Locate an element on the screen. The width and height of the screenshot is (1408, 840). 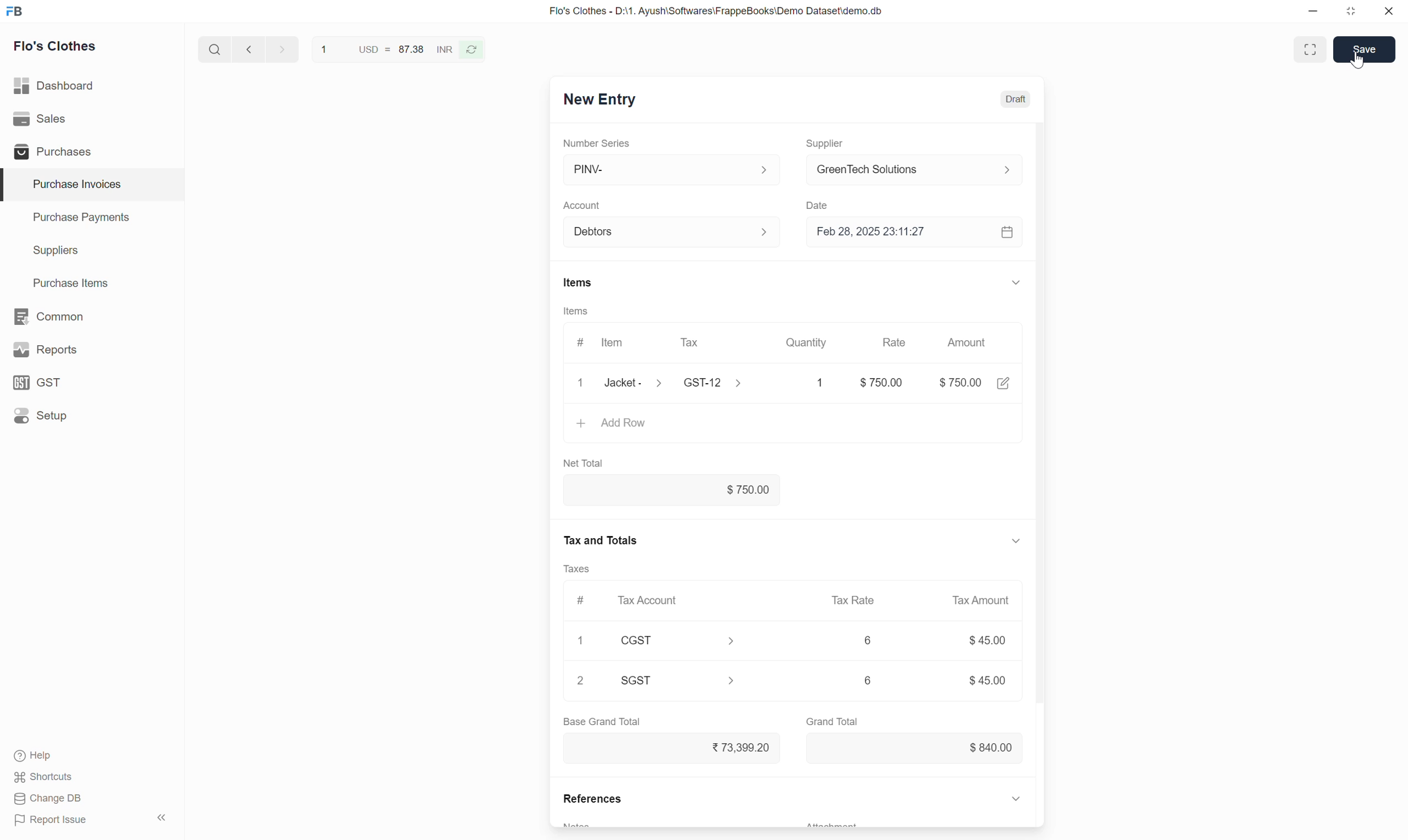
Search is located at coordinates (215, 49).